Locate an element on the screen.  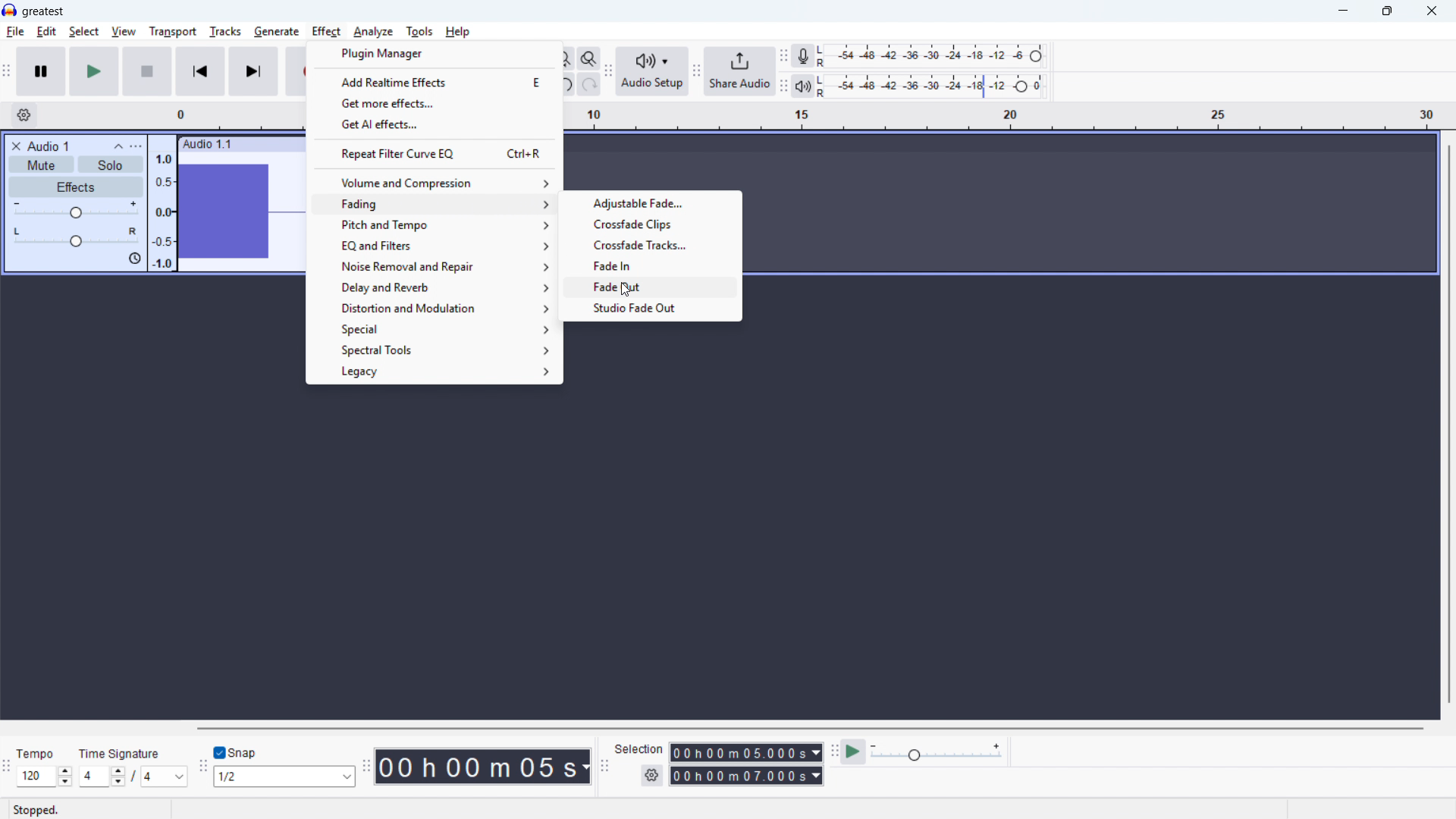
 is located at coordinates (696, 73).